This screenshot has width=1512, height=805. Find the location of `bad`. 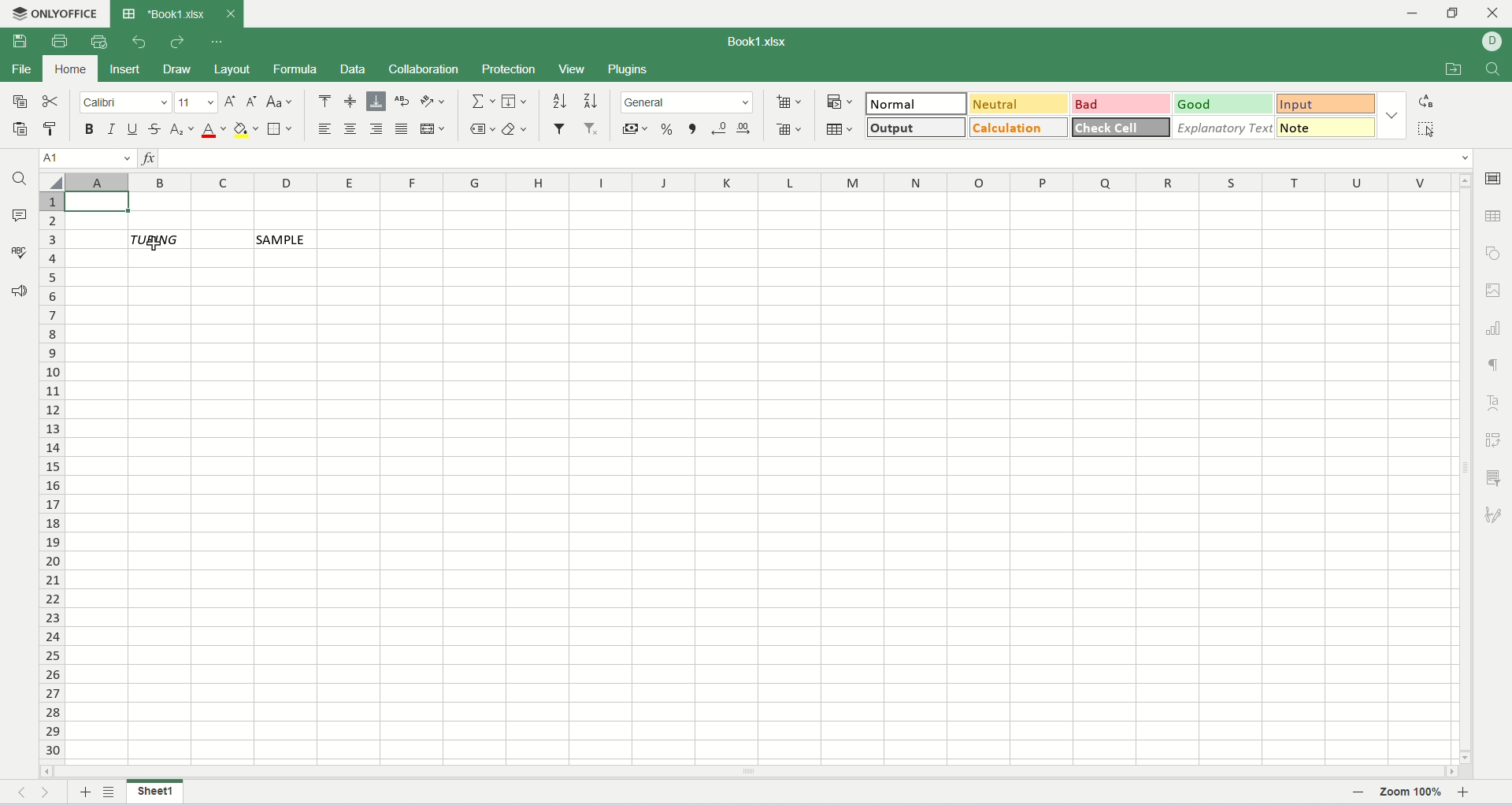

bad is located at coordinates (1121, 105).